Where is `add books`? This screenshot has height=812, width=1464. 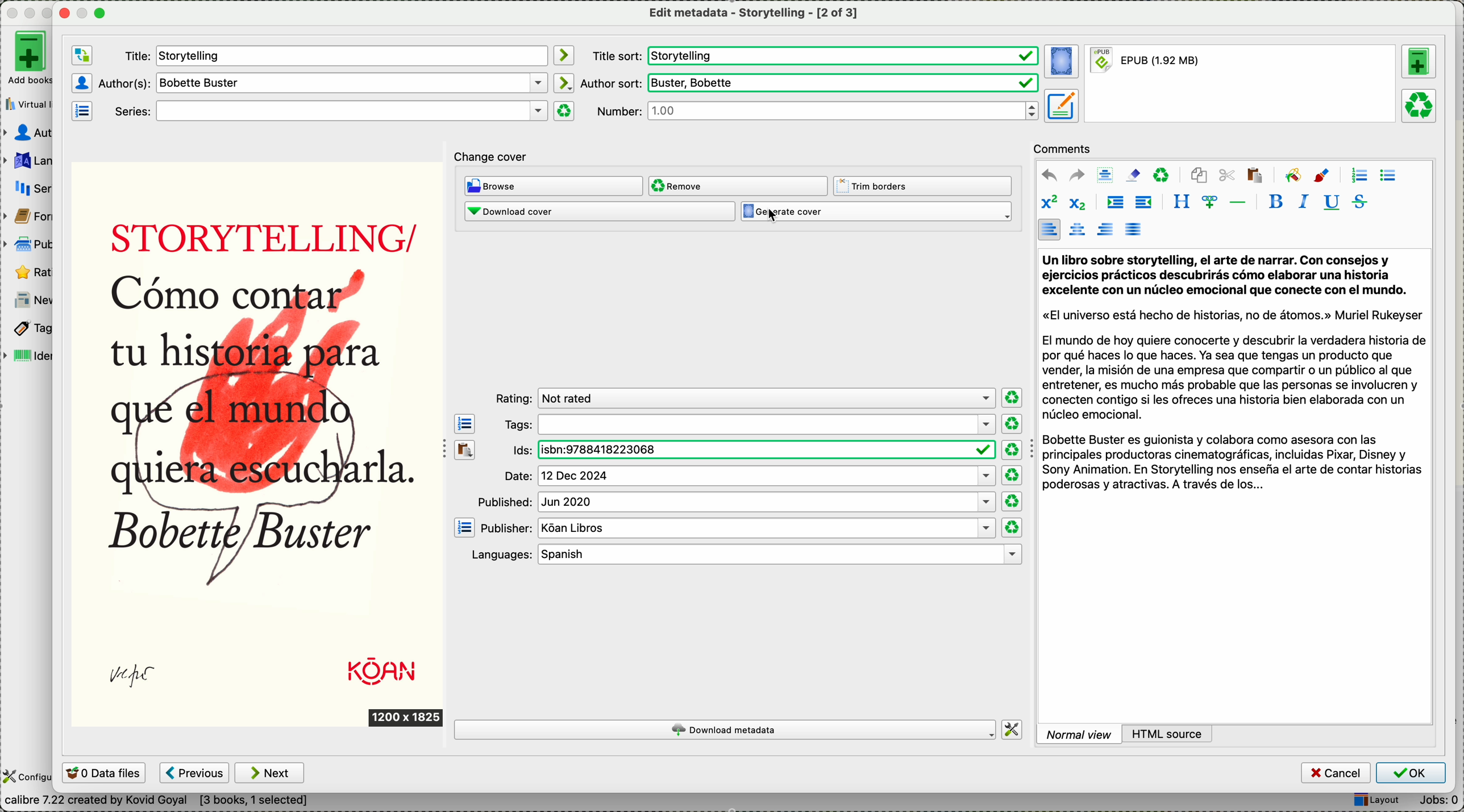 add books is located at coordinates (31, 60).